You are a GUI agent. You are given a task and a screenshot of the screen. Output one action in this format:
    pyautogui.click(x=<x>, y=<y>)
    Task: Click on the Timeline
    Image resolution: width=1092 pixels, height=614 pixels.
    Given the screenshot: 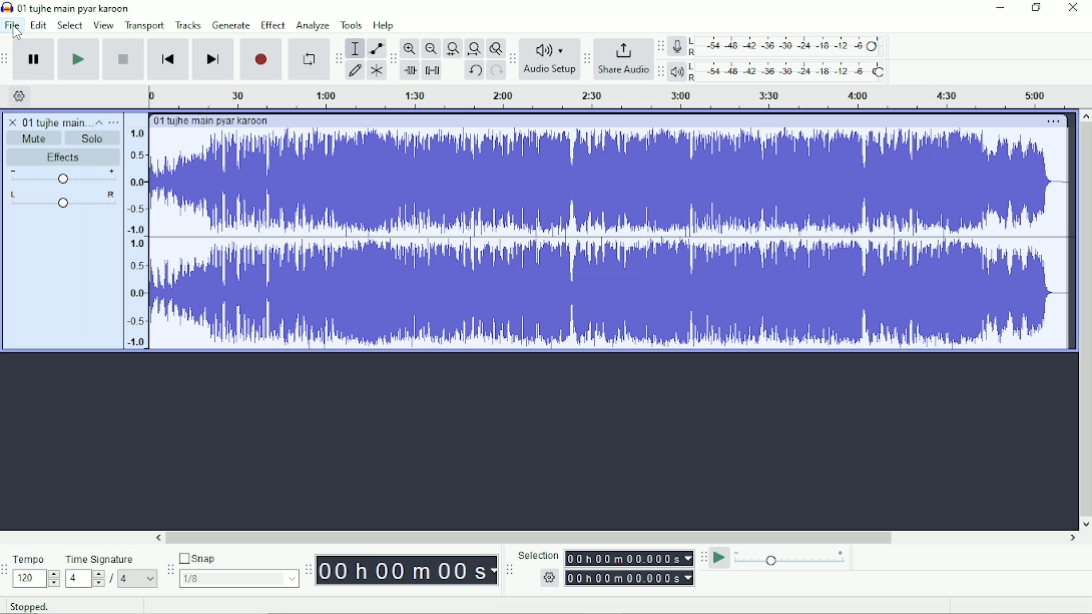 What is the action you would take?
    pyautogui.click(x=618, y=98)
    